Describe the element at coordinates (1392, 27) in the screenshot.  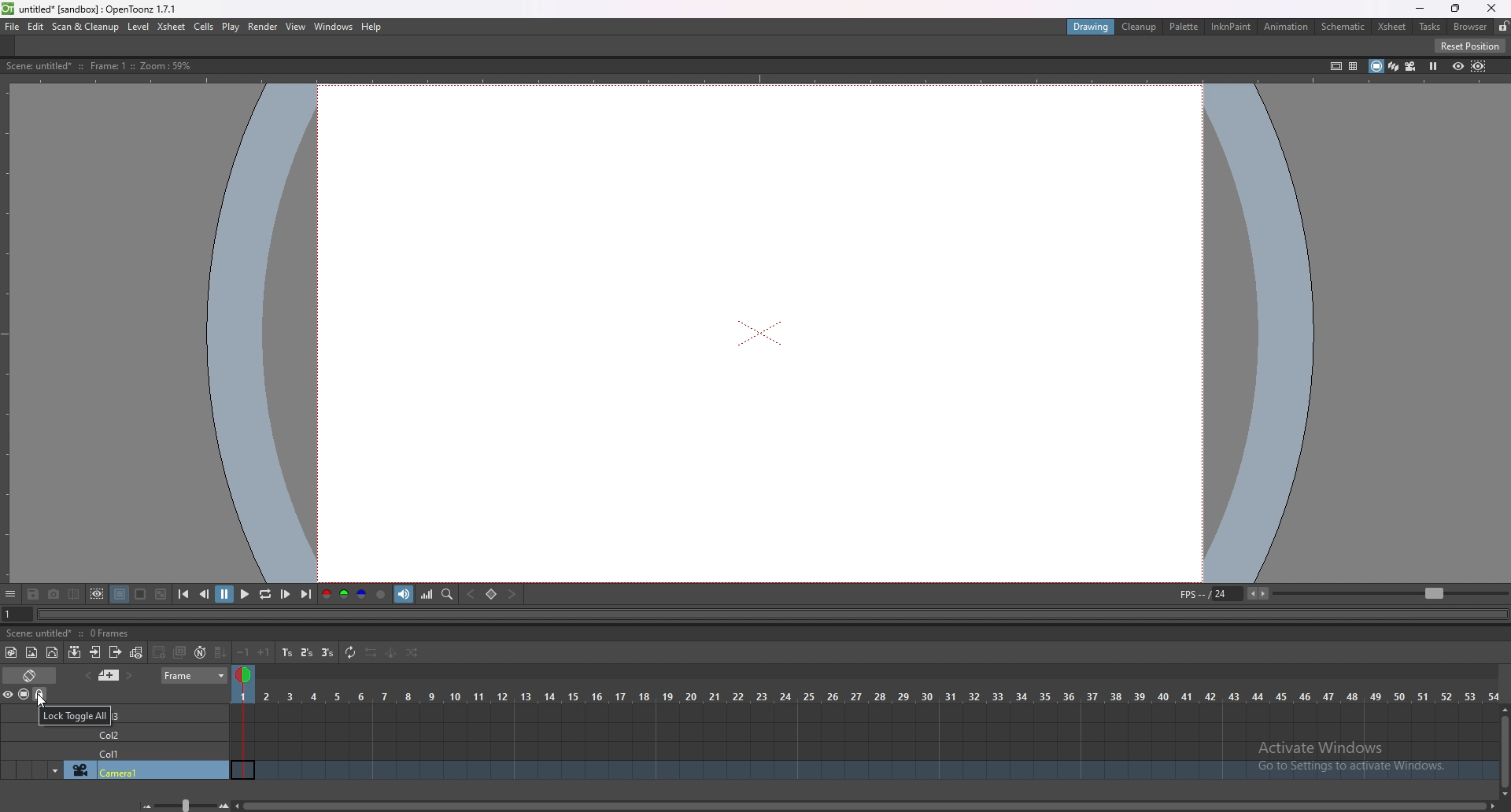
I see `xsheet` at that location.